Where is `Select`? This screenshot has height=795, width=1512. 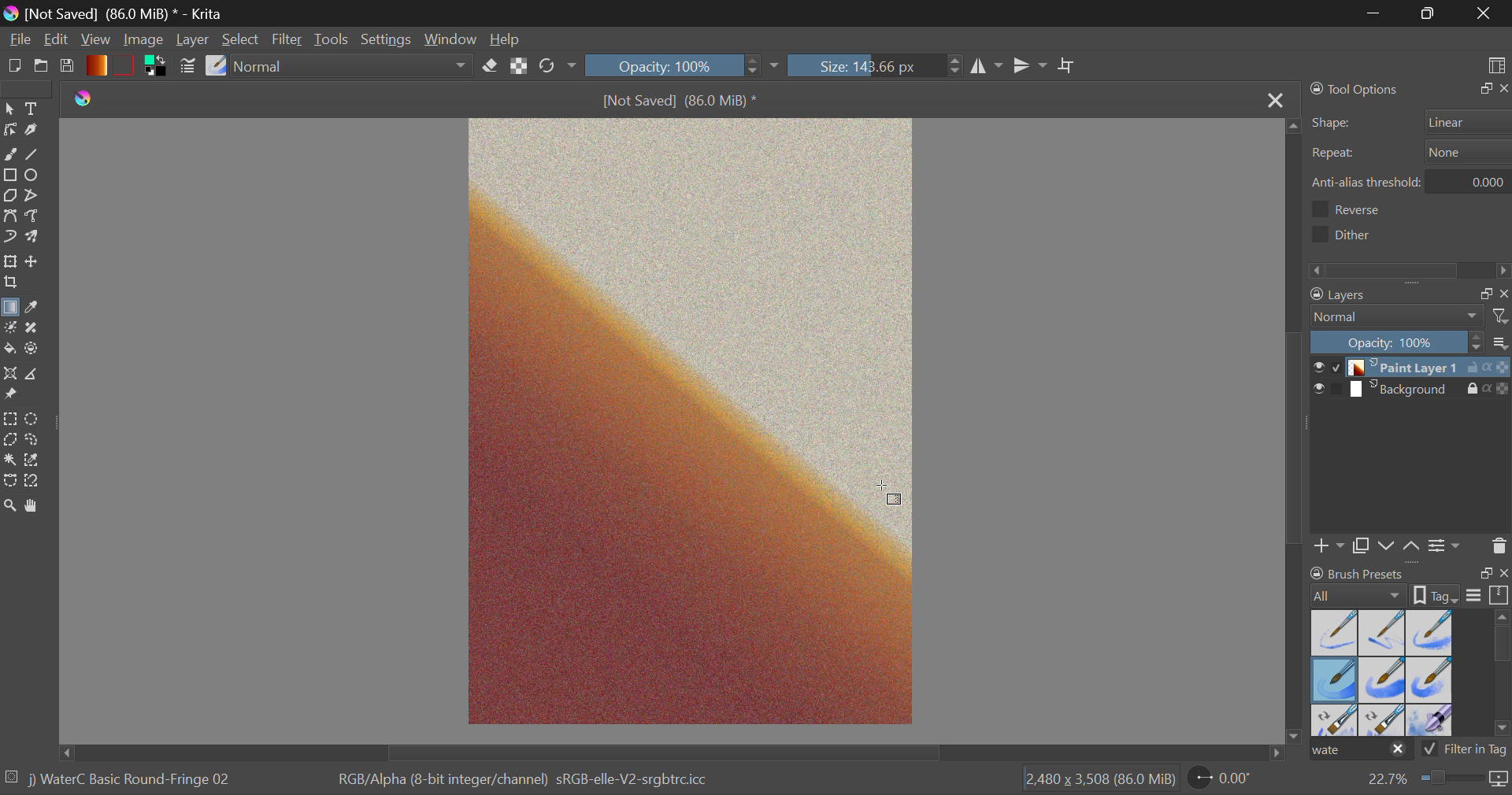 Select is located at coordinates (9, 109).